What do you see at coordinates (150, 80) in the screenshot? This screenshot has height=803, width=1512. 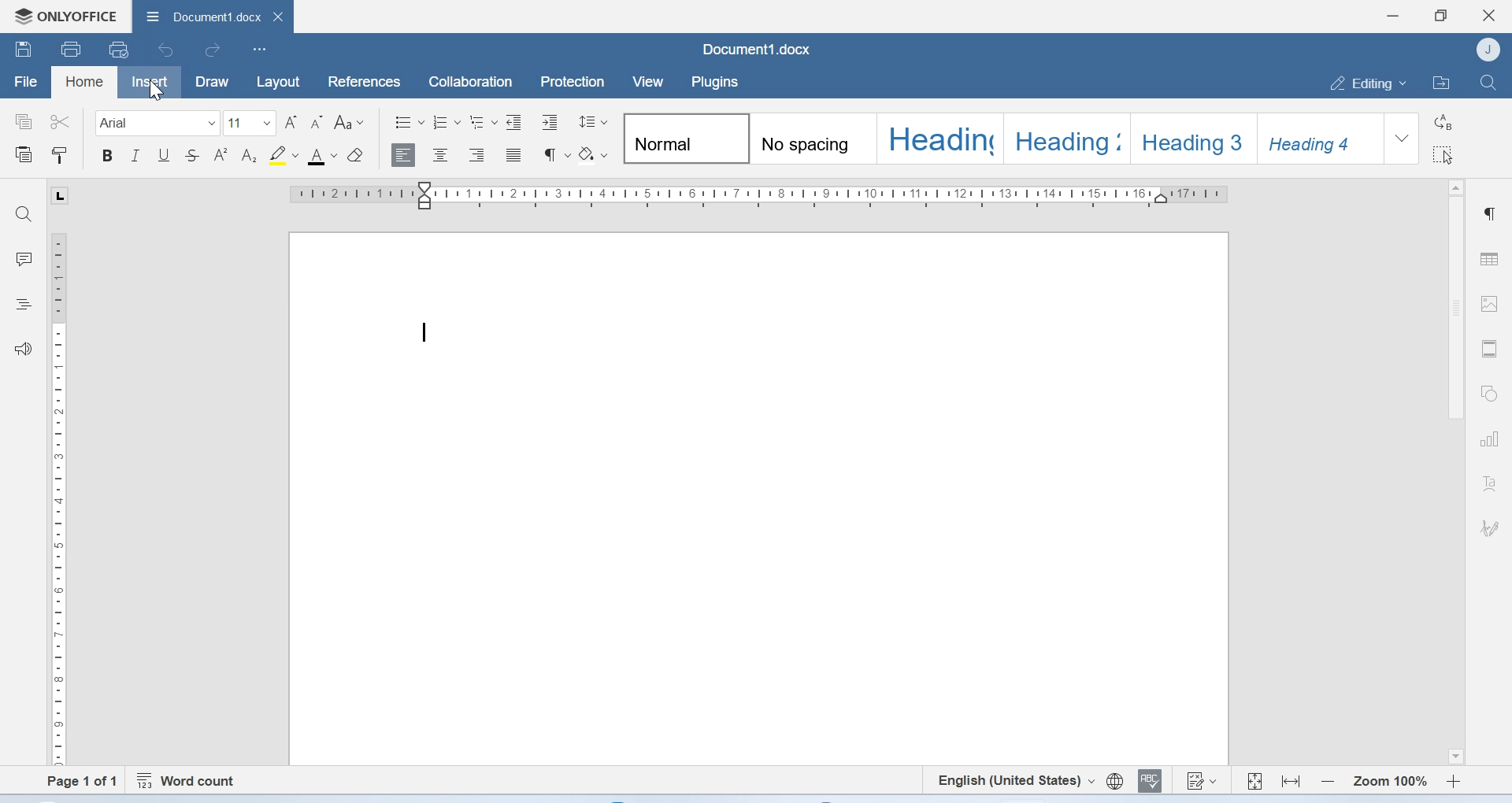 I see `Insert` at bounding box center [150, 80].